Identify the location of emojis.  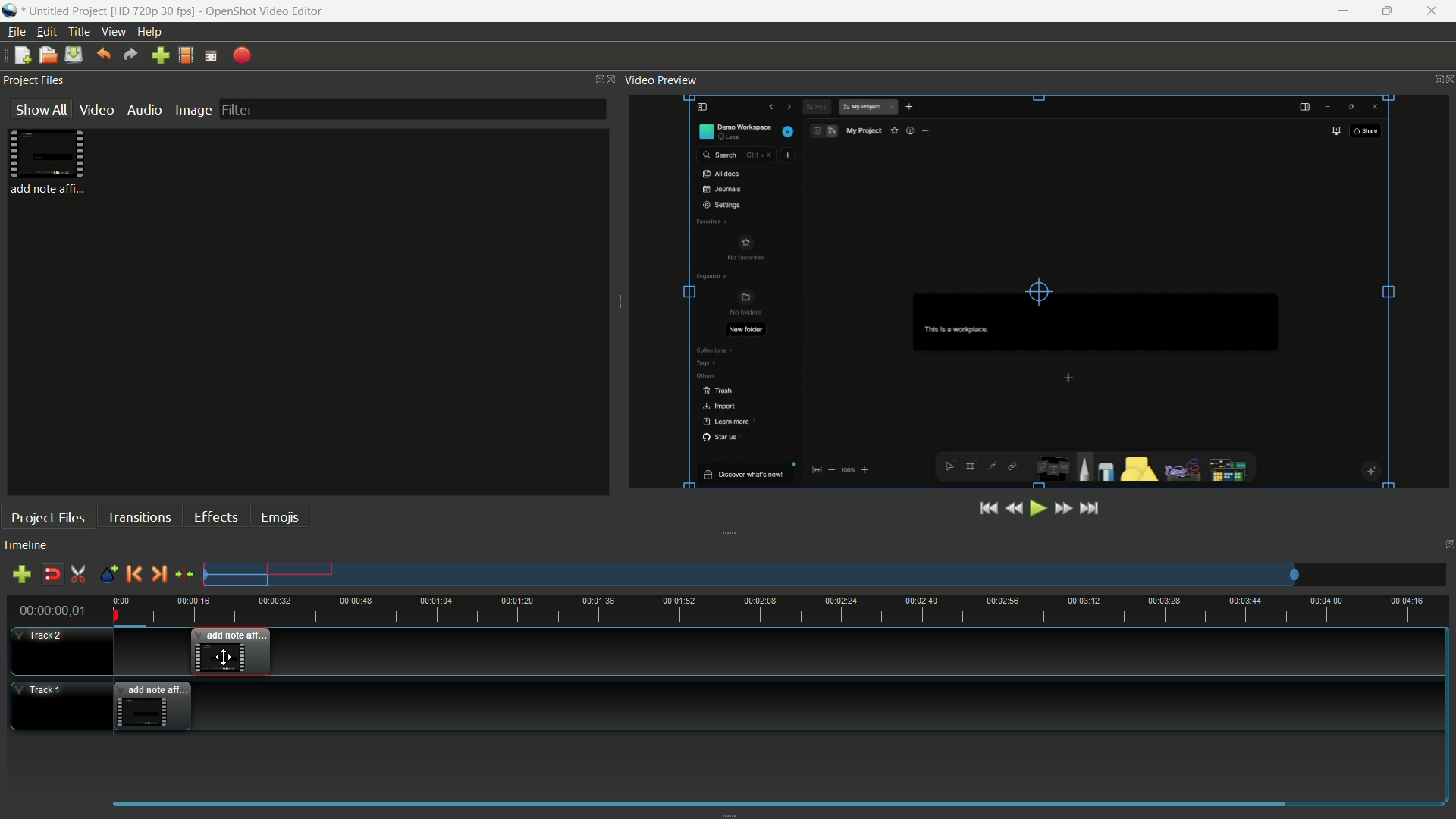
(278, 518).